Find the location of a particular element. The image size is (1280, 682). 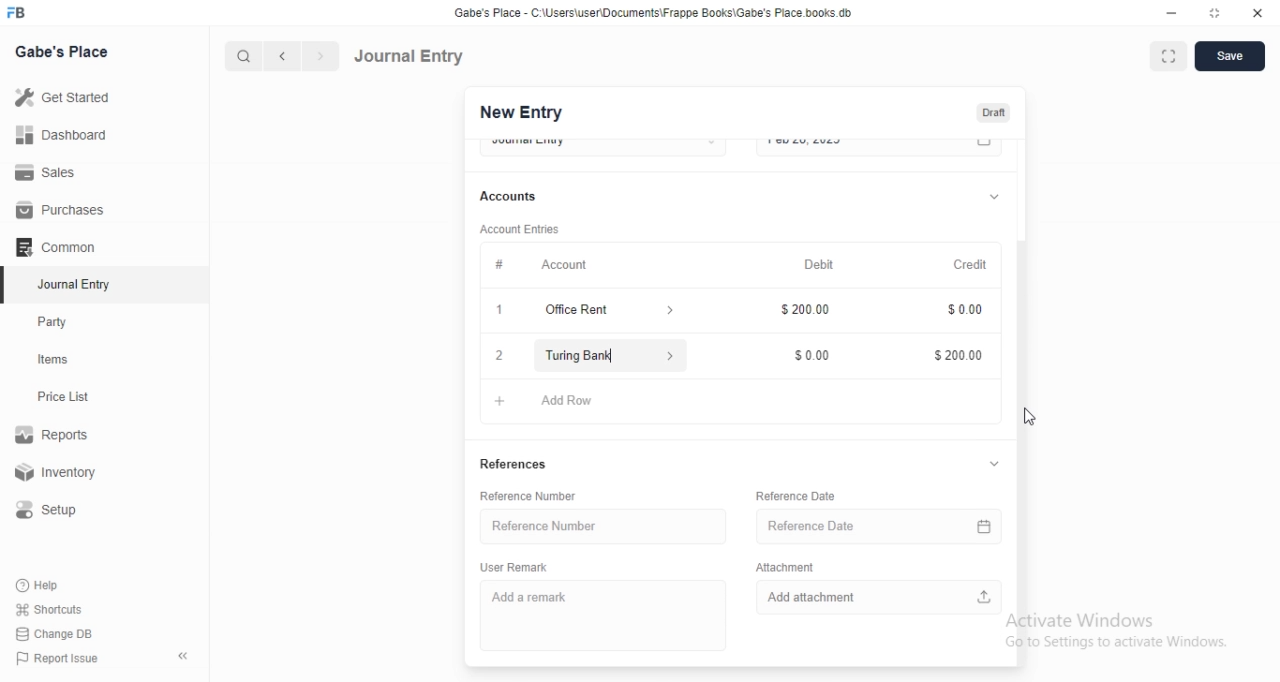

Reference Number is located at coordinates (541, 496).